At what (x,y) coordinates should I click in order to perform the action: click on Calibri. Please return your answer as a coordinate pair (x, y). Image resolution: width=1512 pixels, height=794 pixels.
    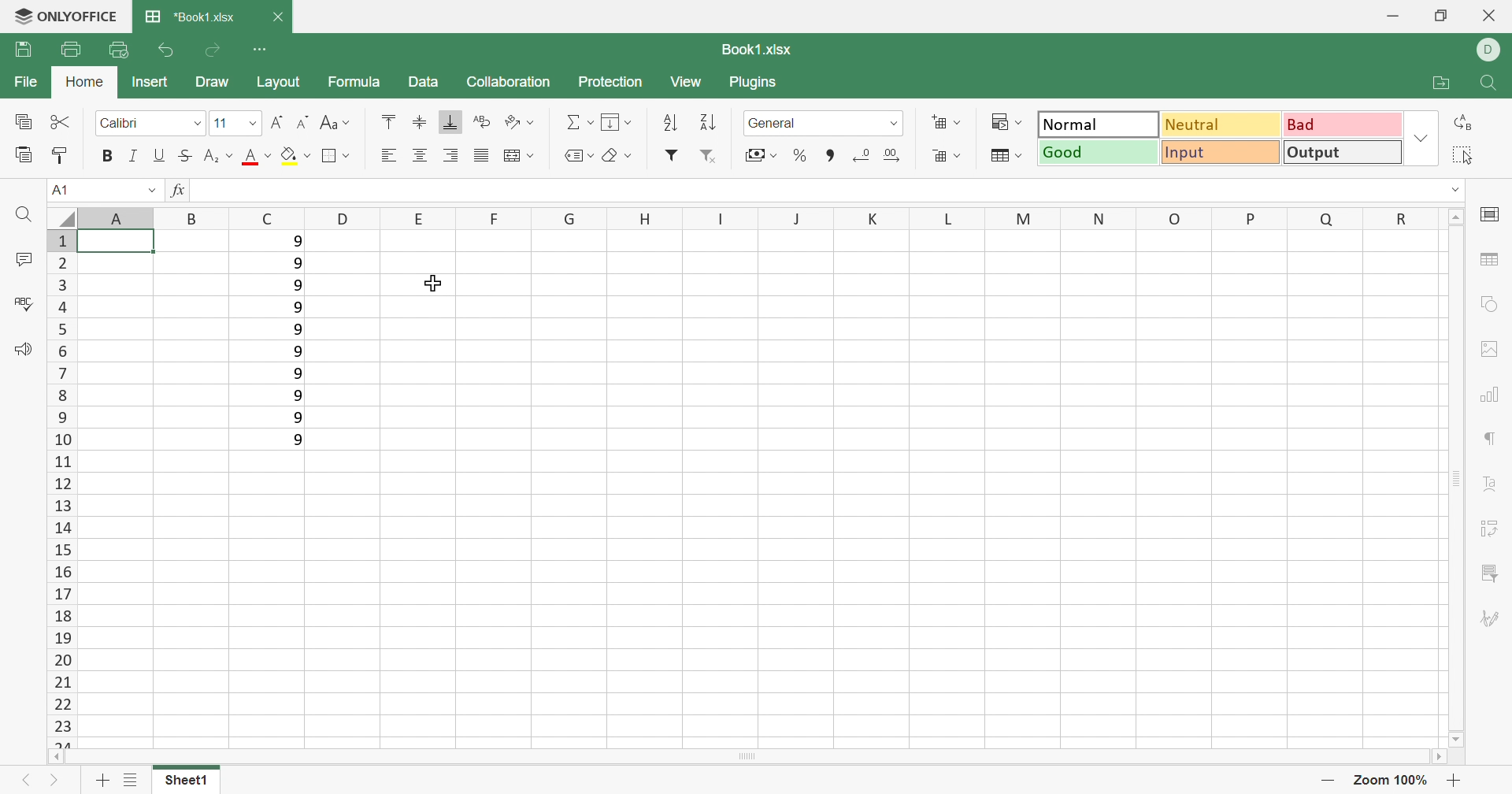
    Looking at the image, I should click on (124, 124).